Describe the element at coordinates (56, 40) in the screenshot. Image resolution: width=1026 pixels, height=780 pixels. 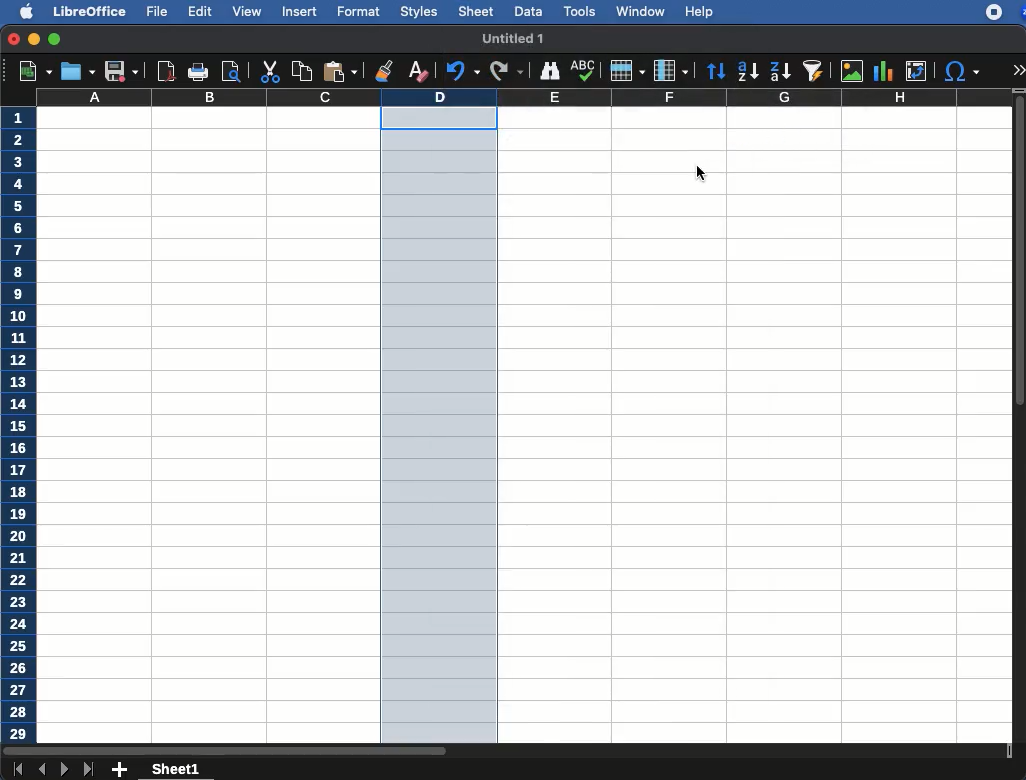
I see `maximize` at that location.